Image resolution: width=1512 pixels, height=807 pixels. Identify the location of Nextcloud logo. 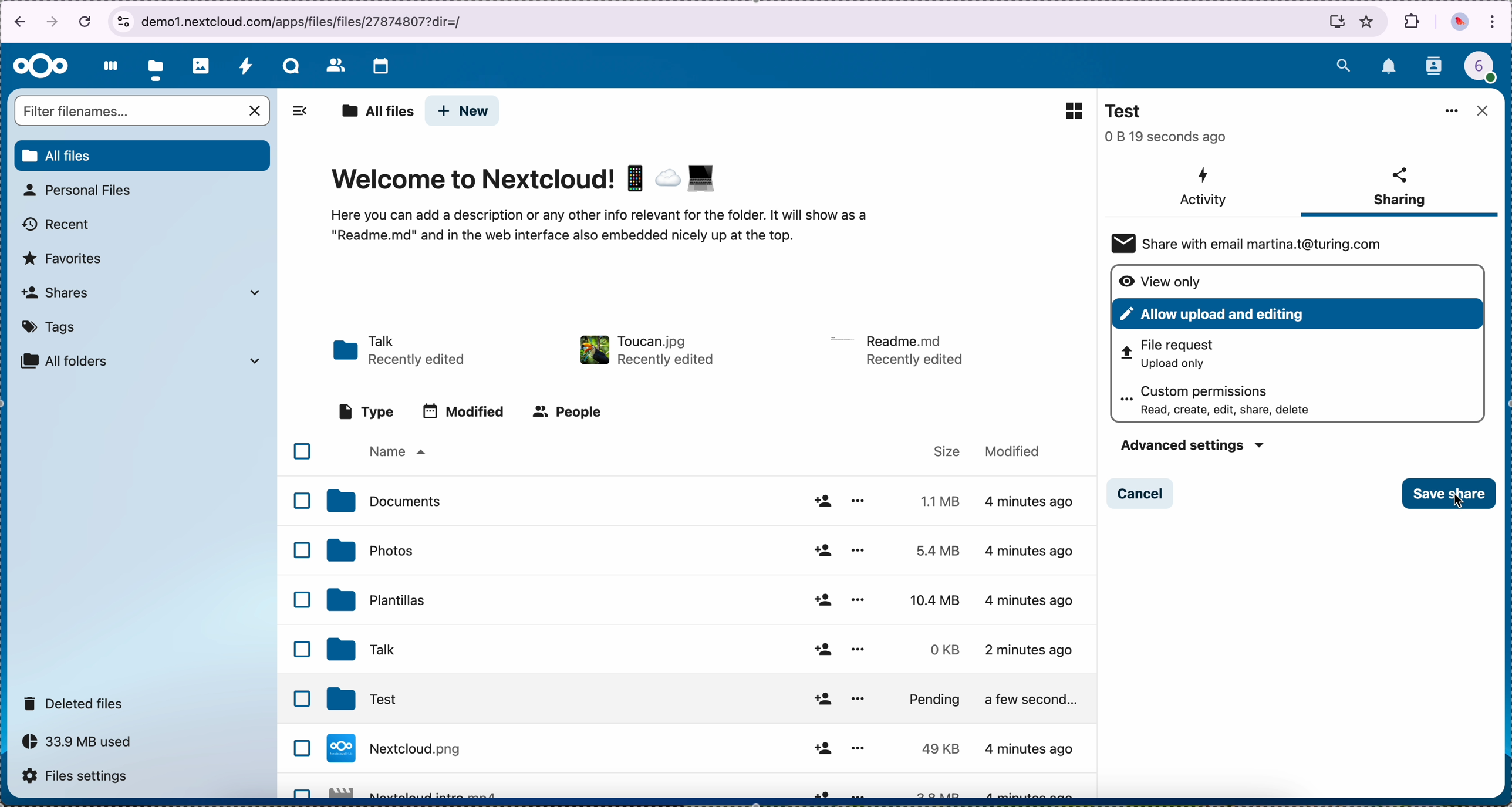
(41, 67).